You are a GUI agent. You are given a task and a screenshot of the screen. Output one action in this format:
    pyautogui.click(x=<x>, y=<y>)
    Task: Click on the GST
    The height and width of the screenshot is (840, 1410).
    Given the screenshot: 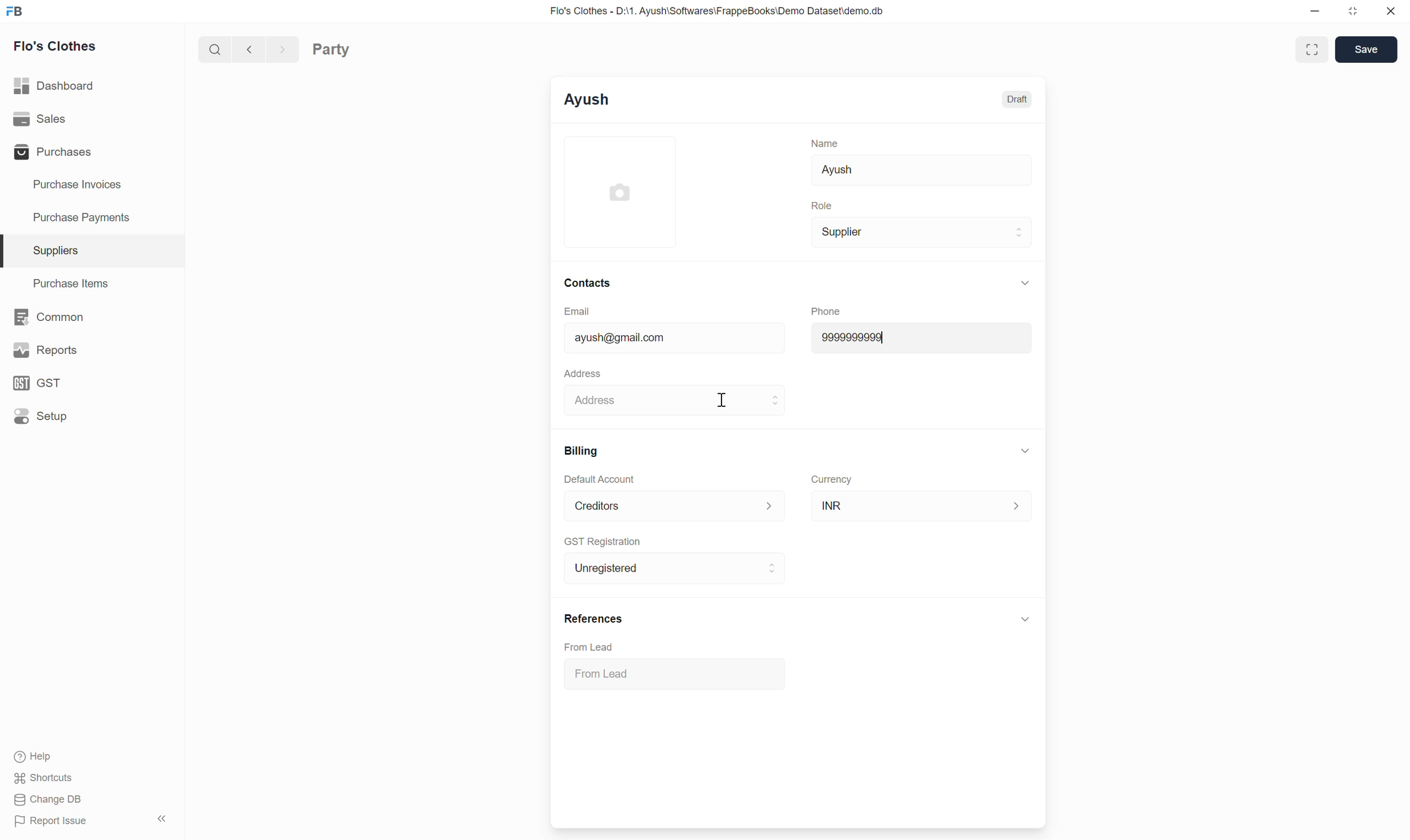 What is the action you would take?
    pyautogui.click(x=91, y=383)
    